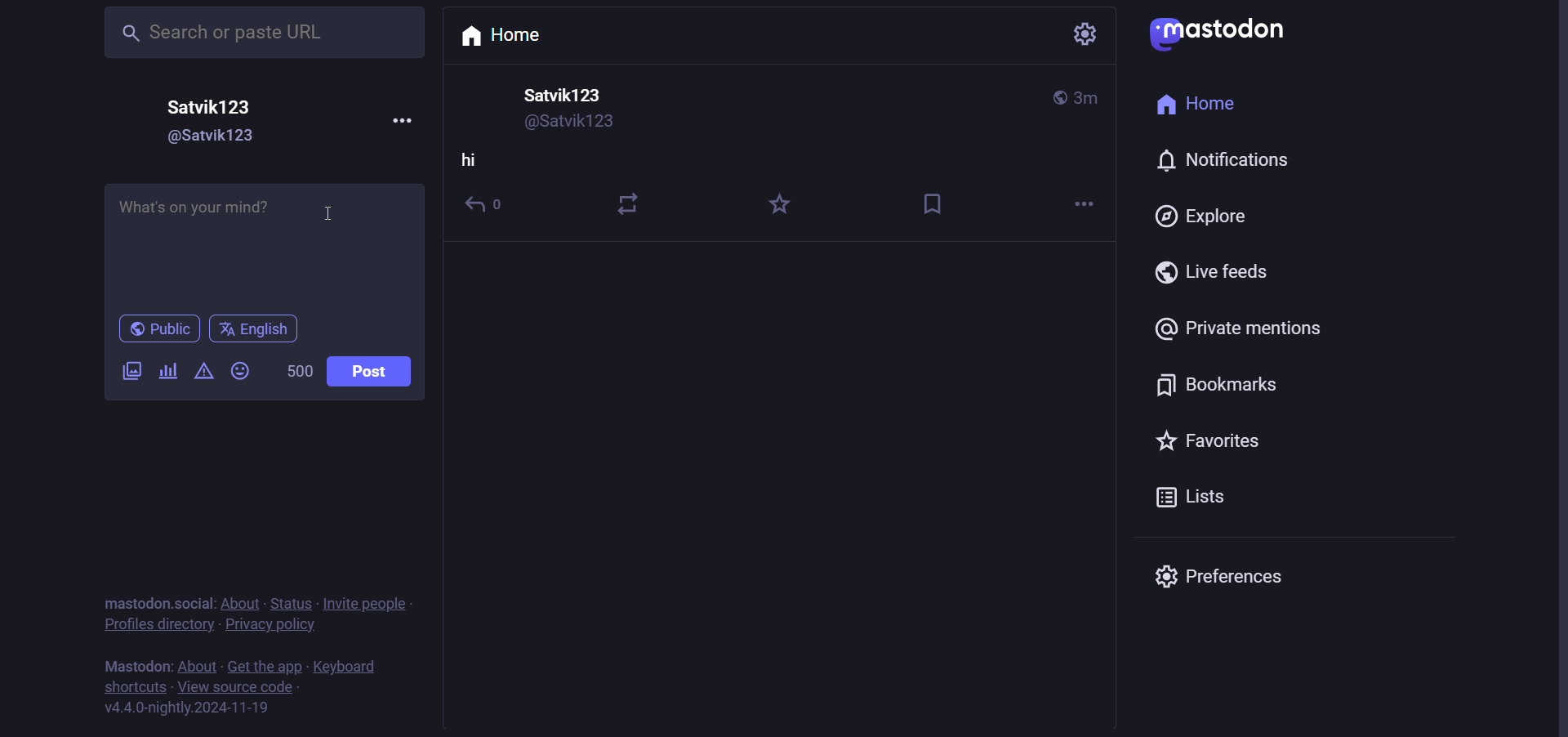 This screenshot has width=1568, height=737. I want to click on favorite, so click(780, 206).